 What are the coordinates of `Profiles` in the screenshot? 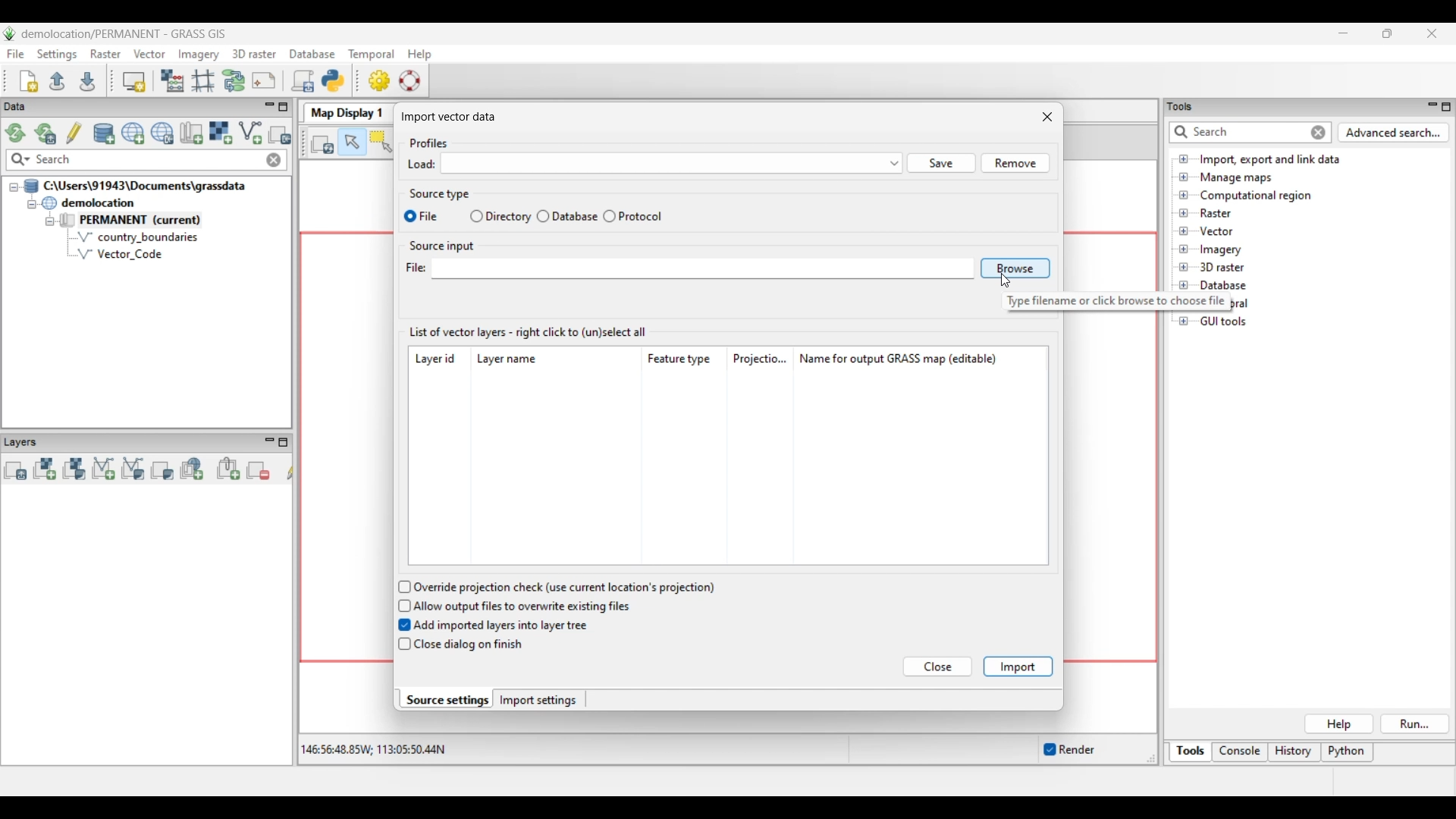 It's located at (431, 144).